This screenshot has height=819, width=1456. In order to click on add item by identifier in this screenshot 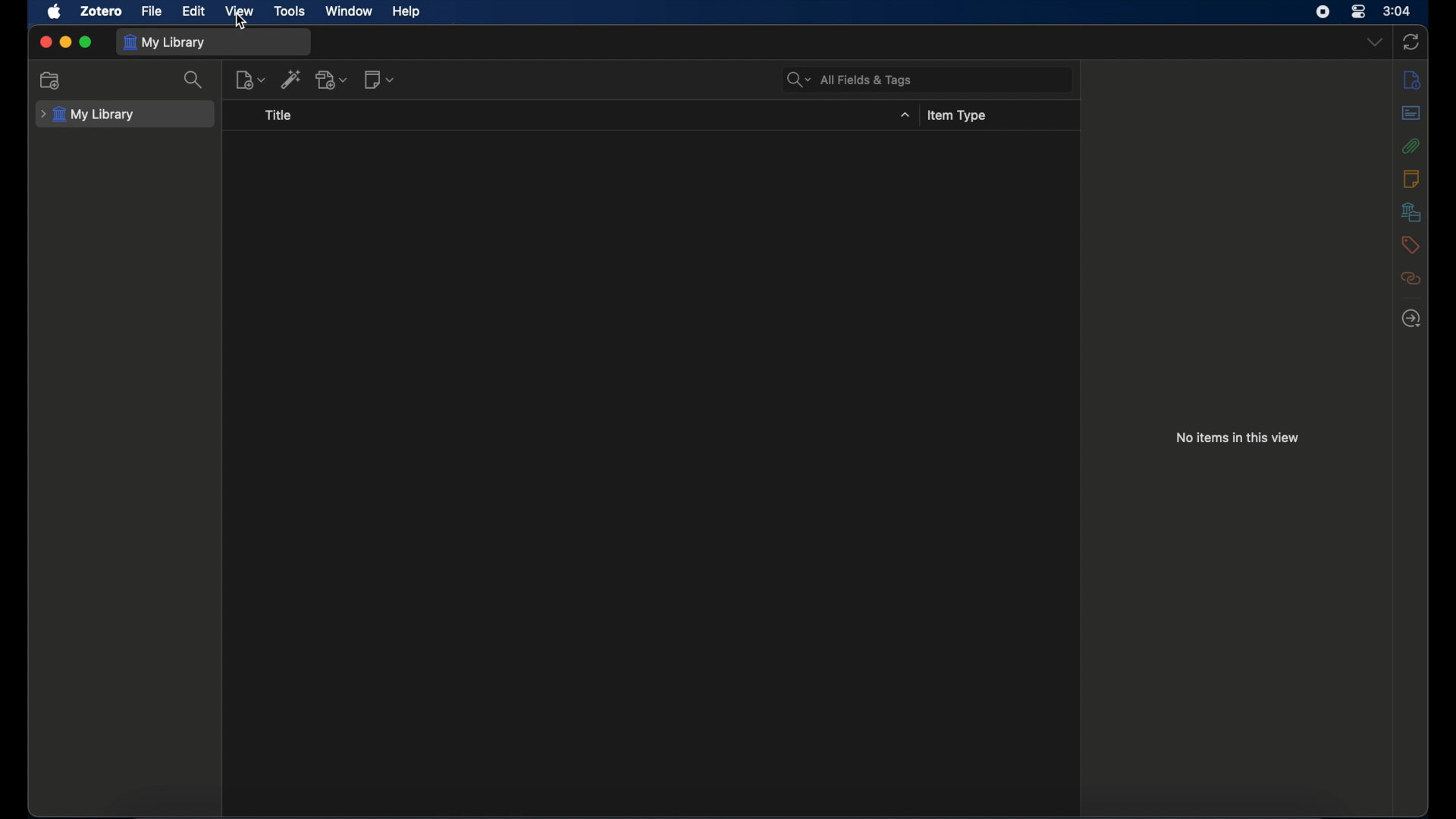, I will do `click(292, 80)`.